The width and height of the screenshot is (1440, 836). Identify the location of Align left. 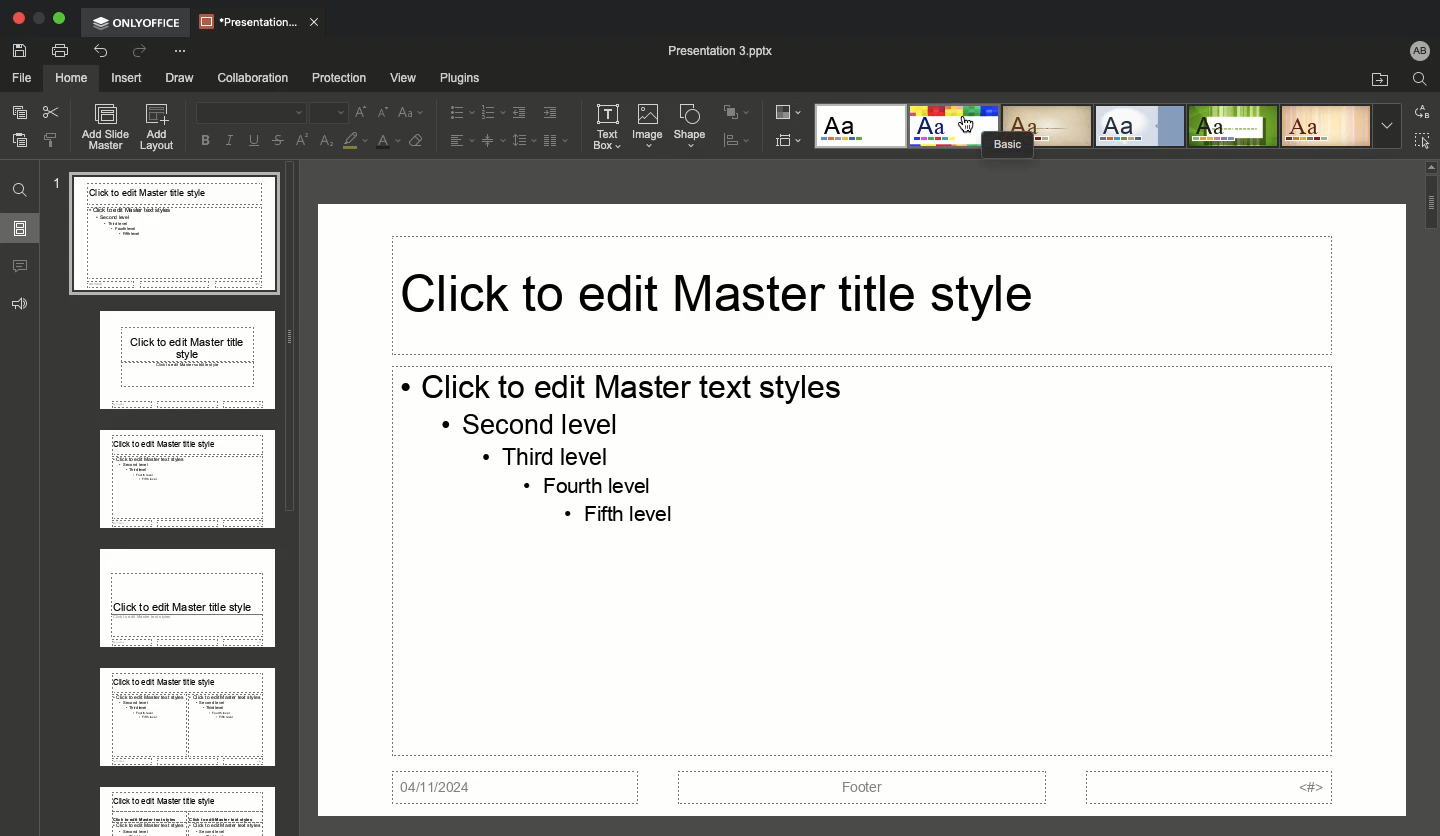
(460, 141).